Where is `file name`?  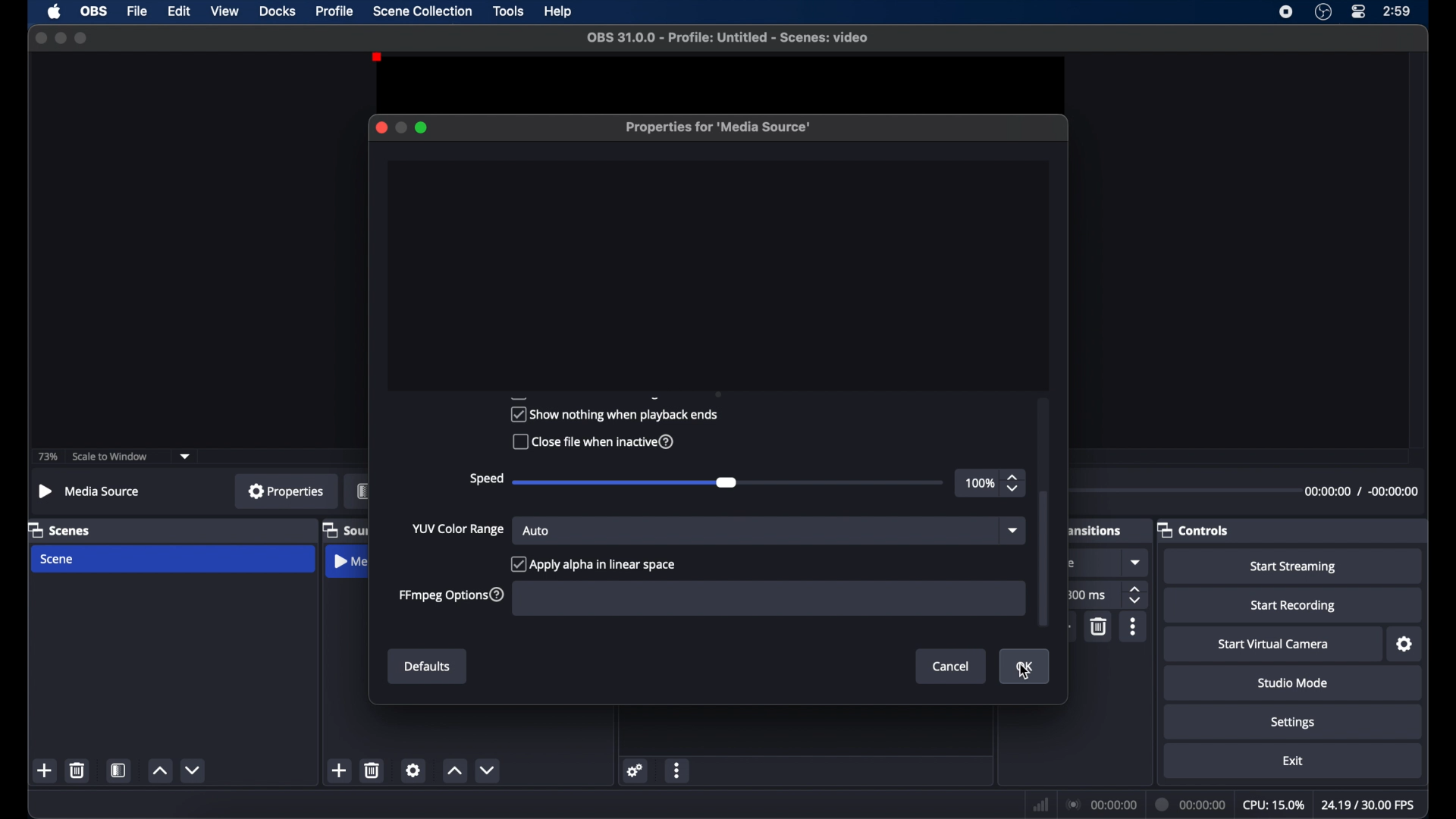 file name is located at coordinates (729, 38).